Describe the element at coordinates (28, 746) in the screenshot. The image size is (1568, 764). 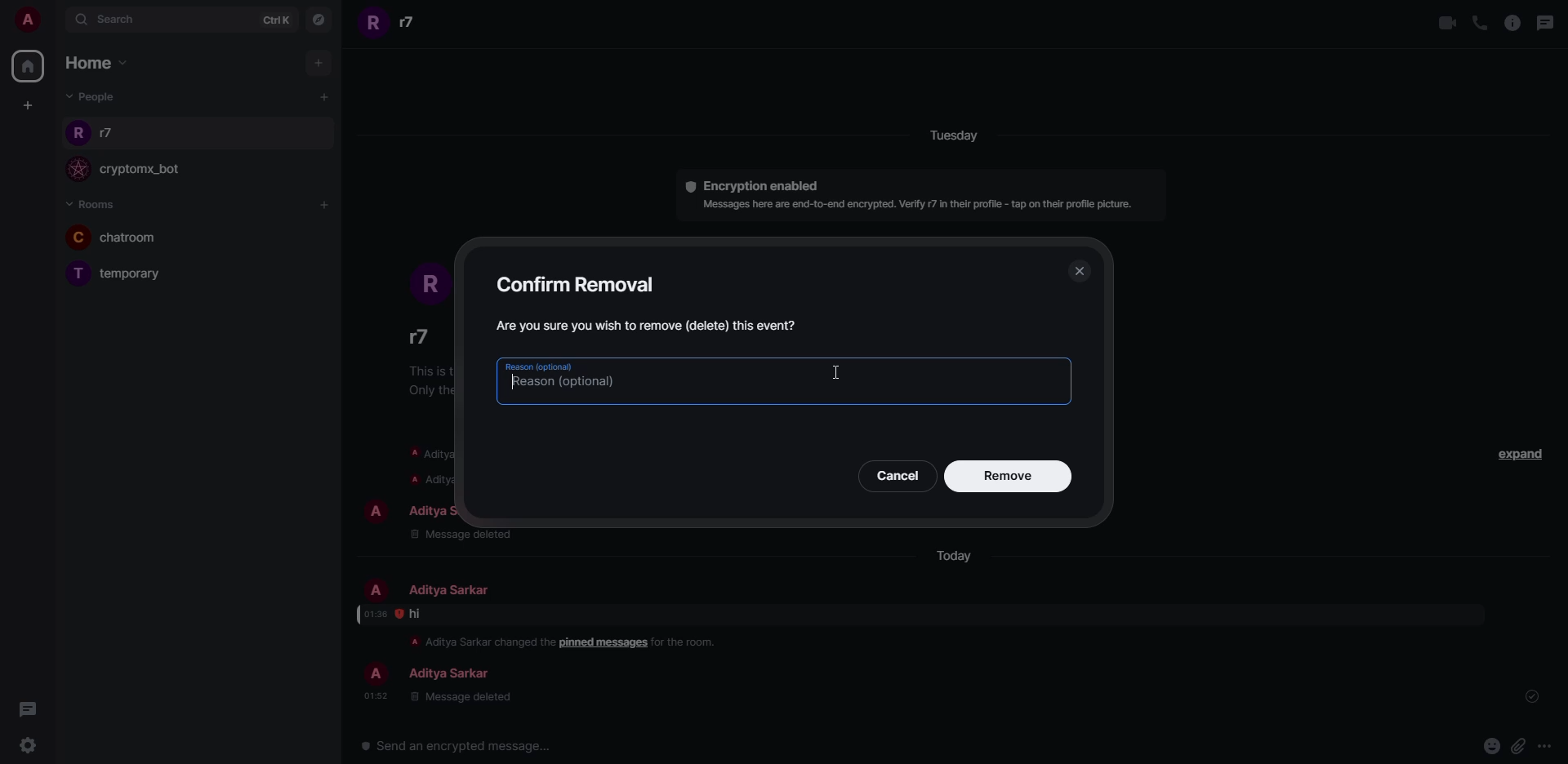
I see `settings` at that location.